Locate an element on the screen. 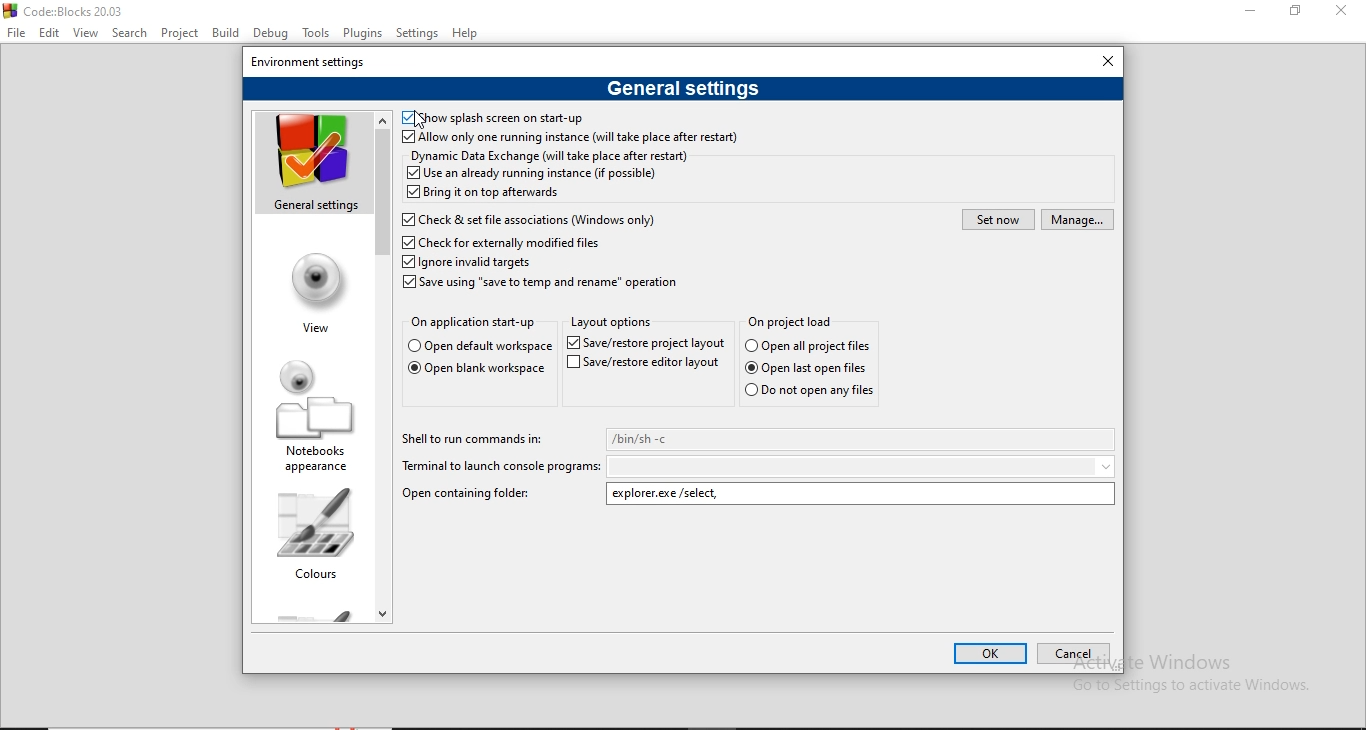  Ignore invalid targets is located at coordinates (467, 263).